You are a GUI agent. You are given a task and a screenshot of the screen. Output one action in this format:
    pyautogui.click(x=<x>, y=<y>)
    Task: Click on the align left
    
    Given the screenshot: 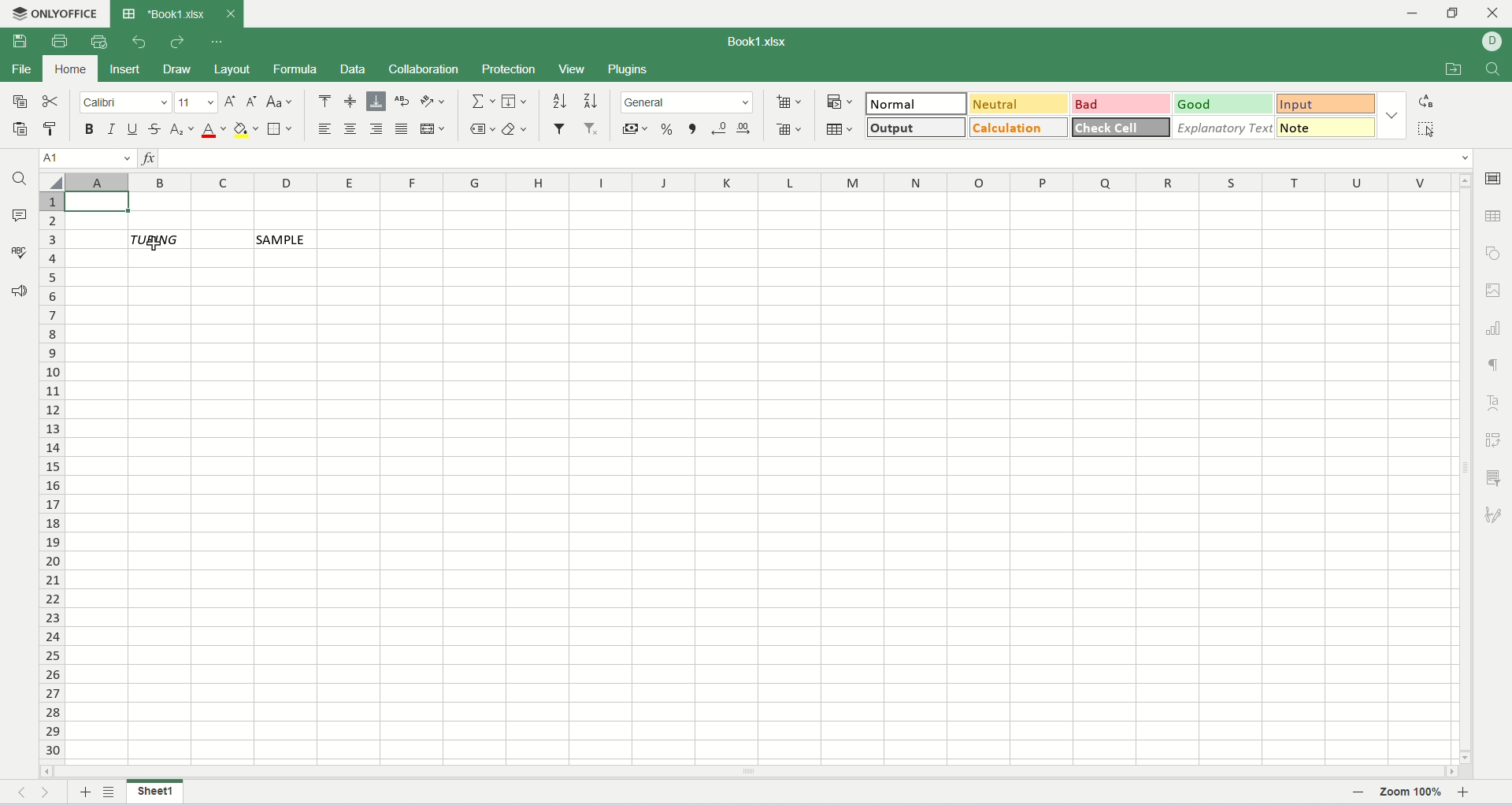 What is the action you would take?
    pyautogui.click(x=328, y=128)
    